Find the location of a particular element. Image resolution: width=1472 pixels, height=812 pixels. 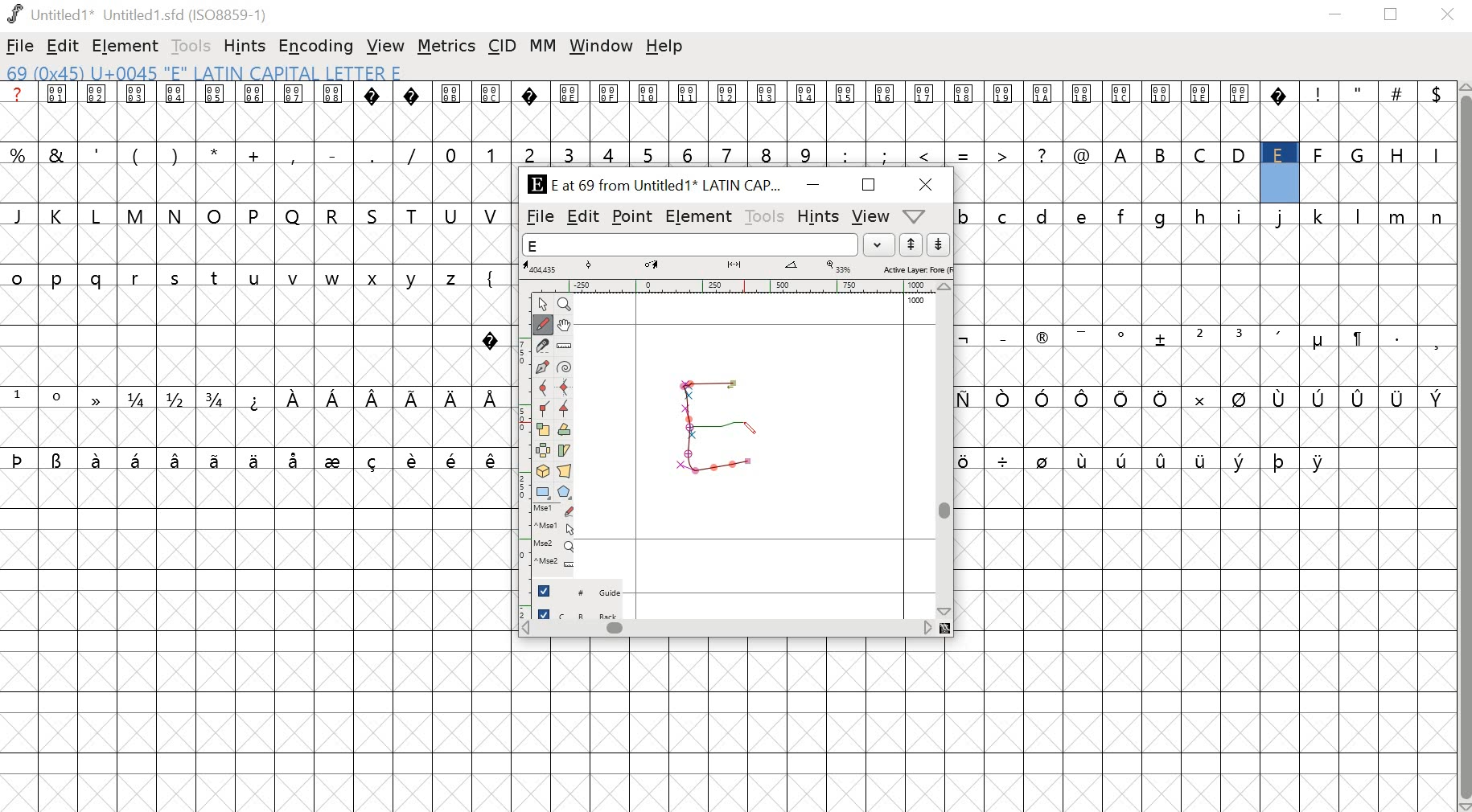

encoding is located at coordinates (316, 47).